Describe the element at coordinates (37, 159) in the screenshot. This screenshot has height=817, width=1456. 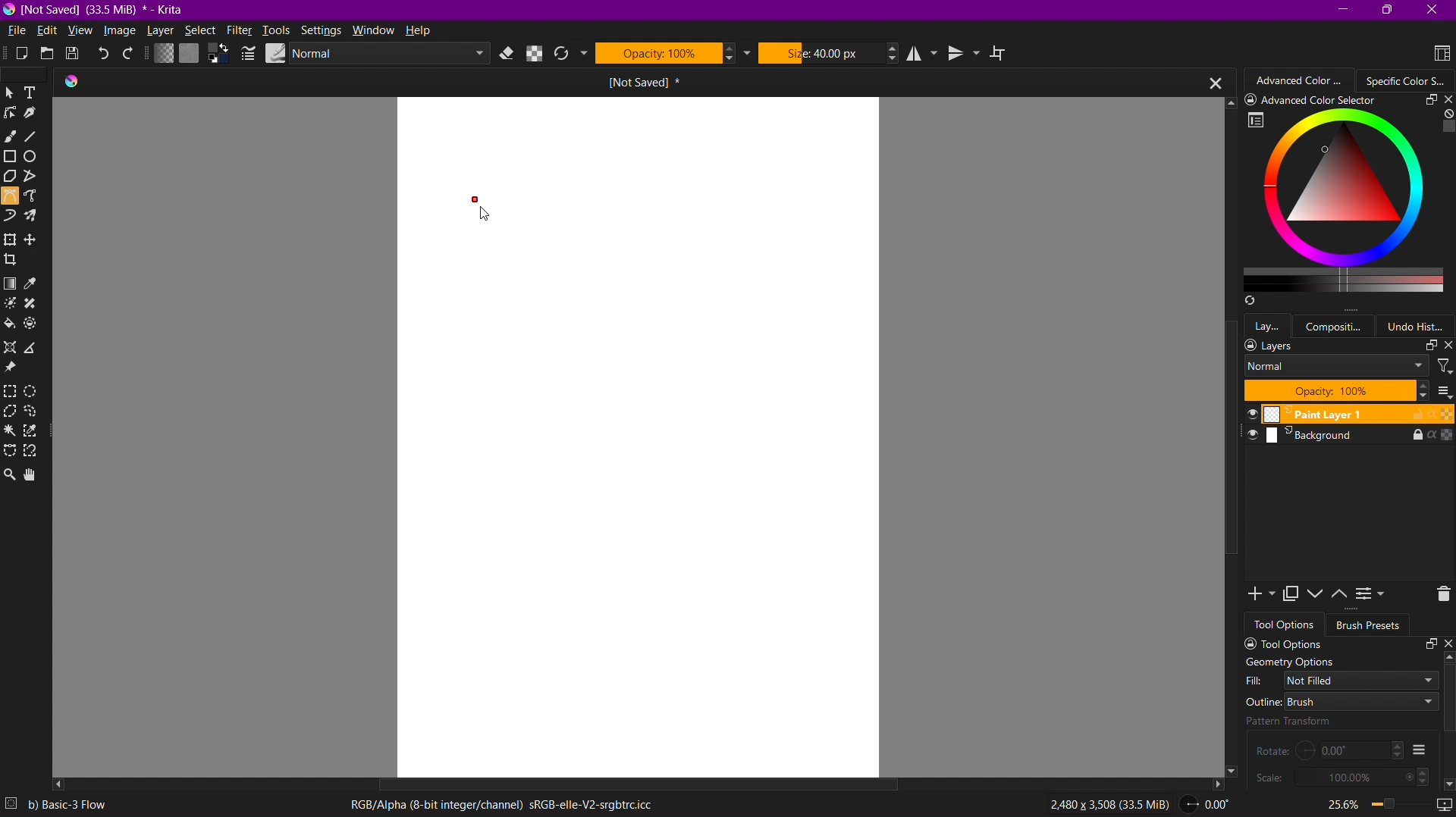
I see `Ellipse Tool` at that location.